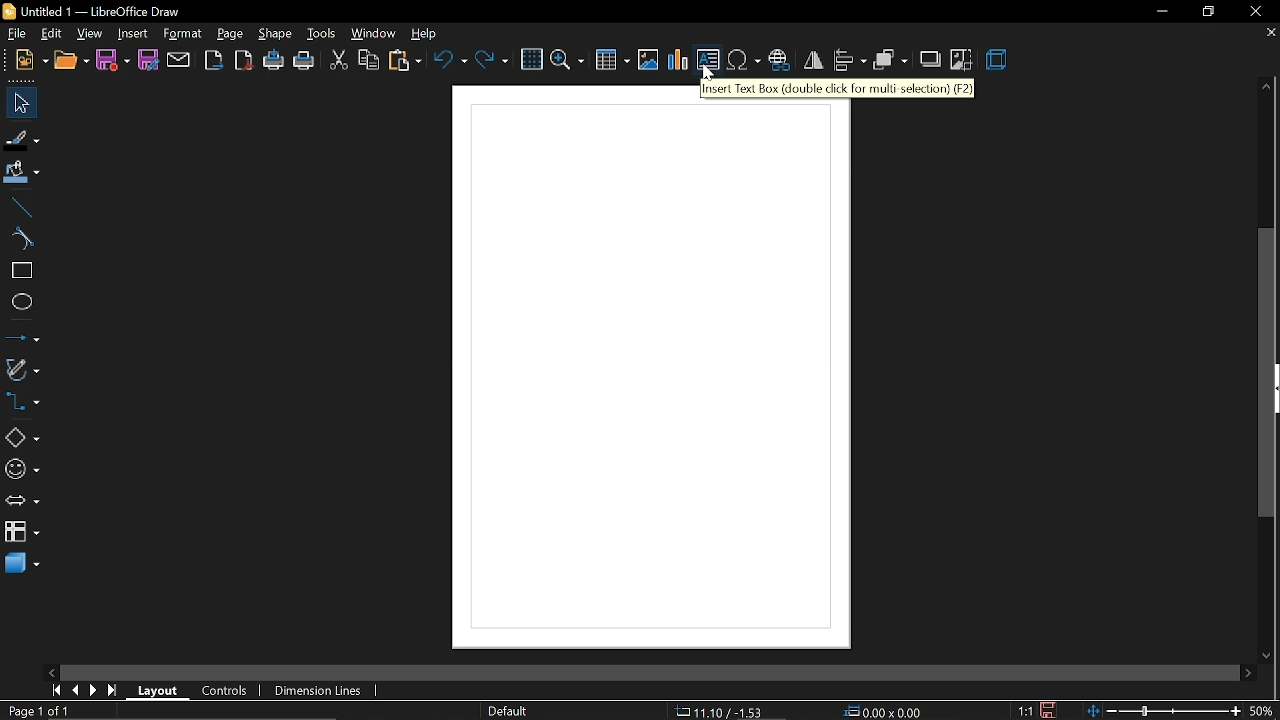 This screenshot has height=720, width=1280. I want to click on Canvas, so click(651, 370).